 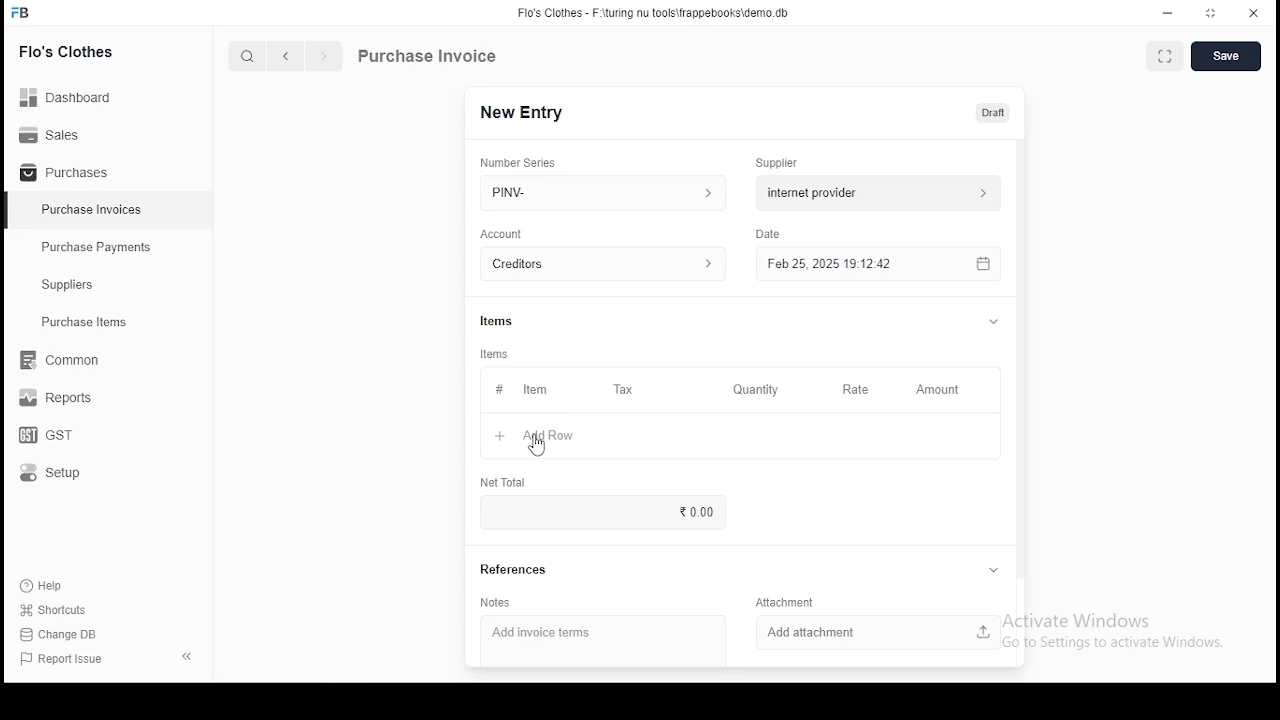 I want to click on Attachment, so click(x=788, y=602).